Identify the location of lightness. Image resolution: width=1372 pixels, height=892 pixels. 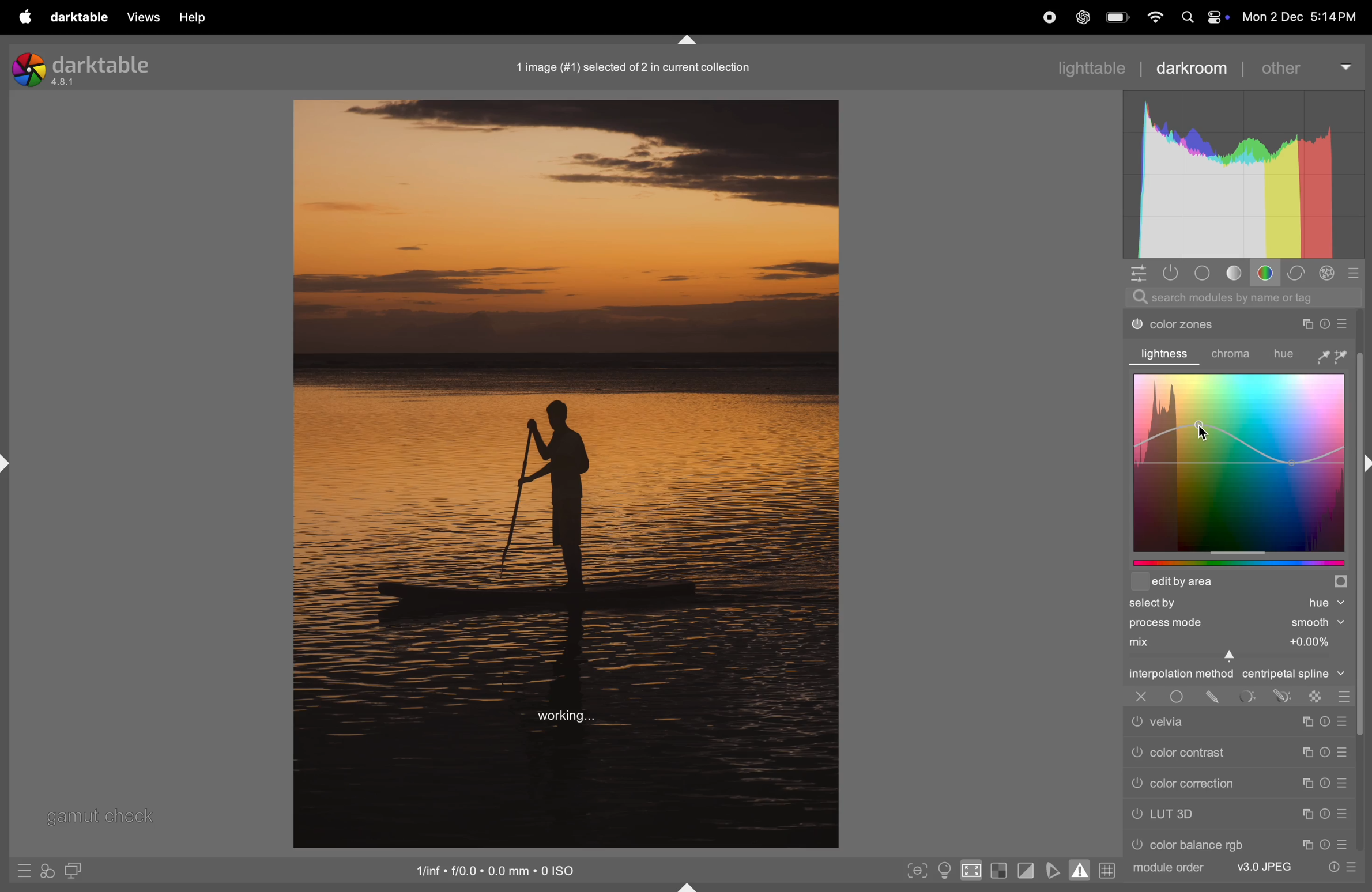
(1167, 353).